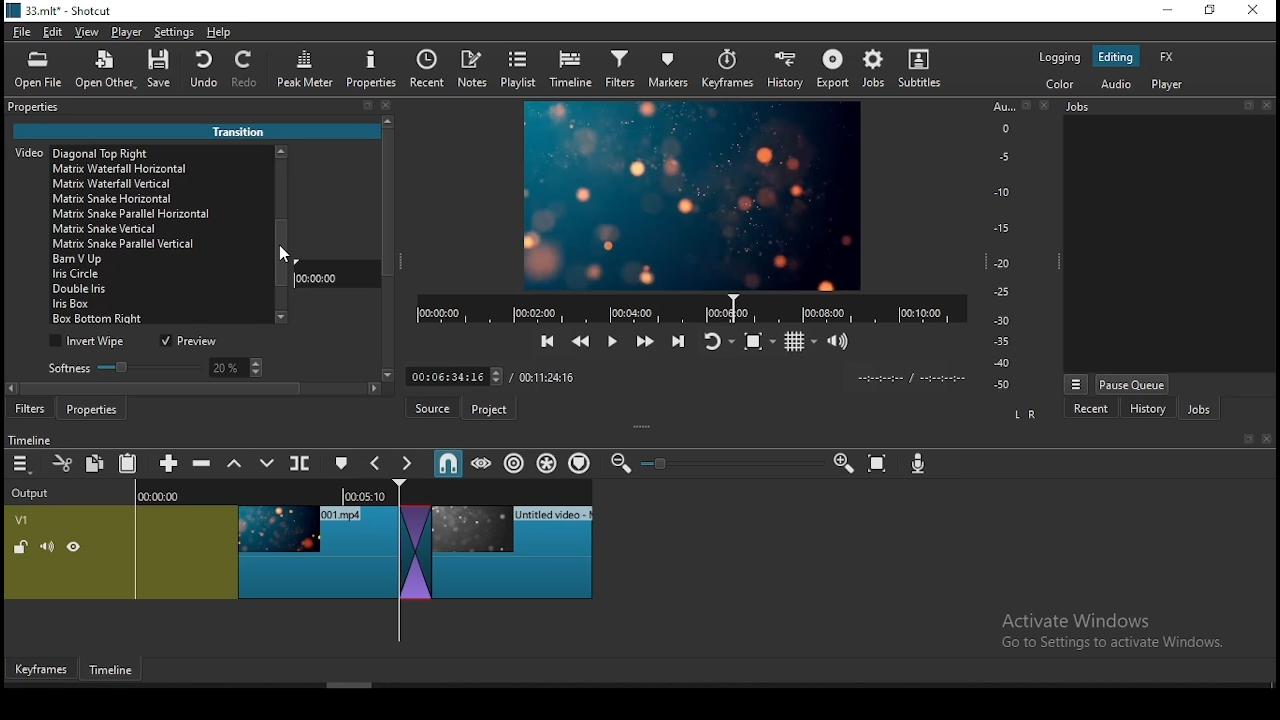 Image resolution: width=1280 pixels, height=720 pixels. What do you see at coordinates (839, 335) in the screenshot?
I see `show video volume control` at bounding box center [839, 335].